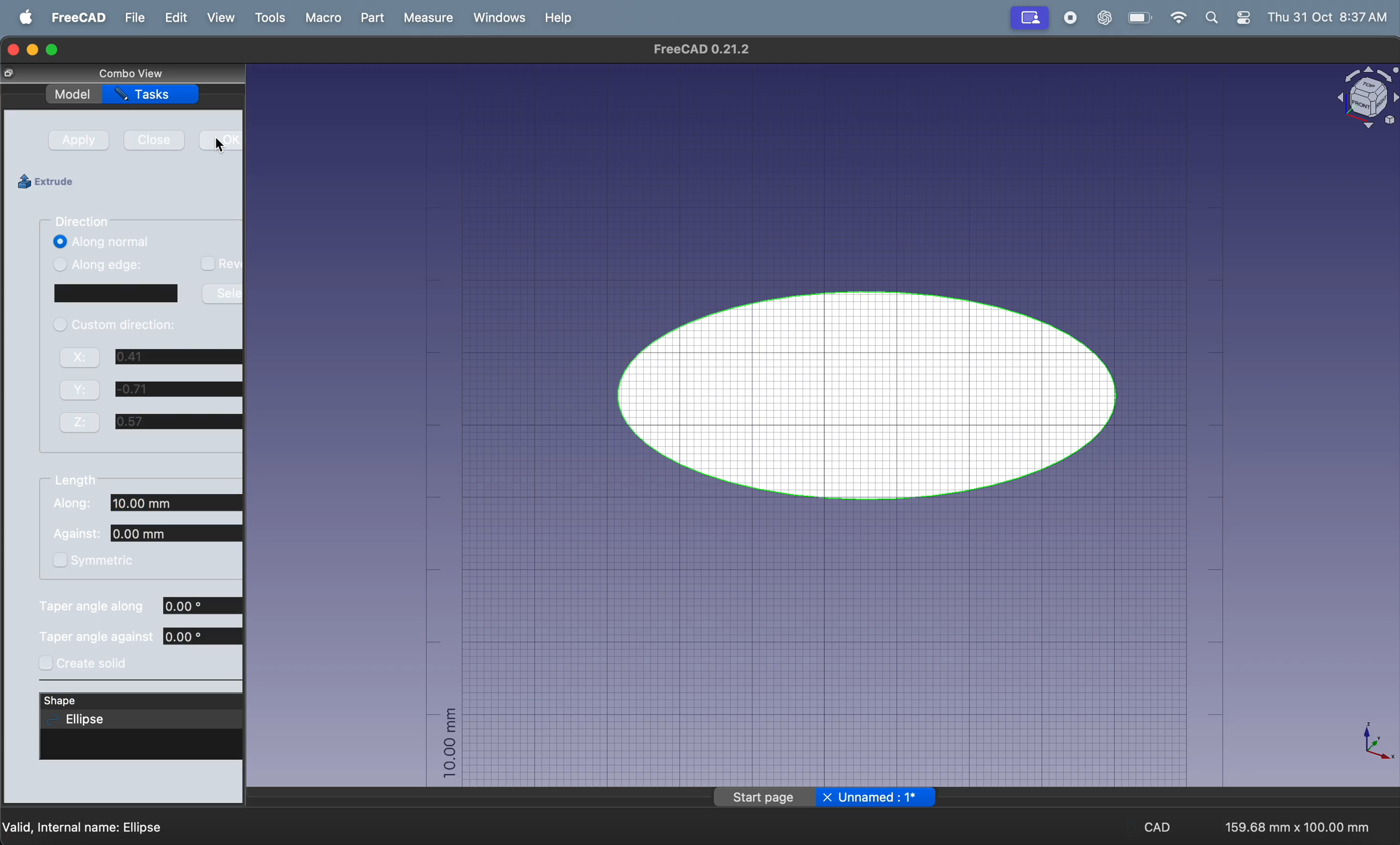 This screenshot has height=845, width=1400. What do you see at coordinates (81, 391) in the screenshot?
I see `y coordinate` at bounding box center [81, 391].